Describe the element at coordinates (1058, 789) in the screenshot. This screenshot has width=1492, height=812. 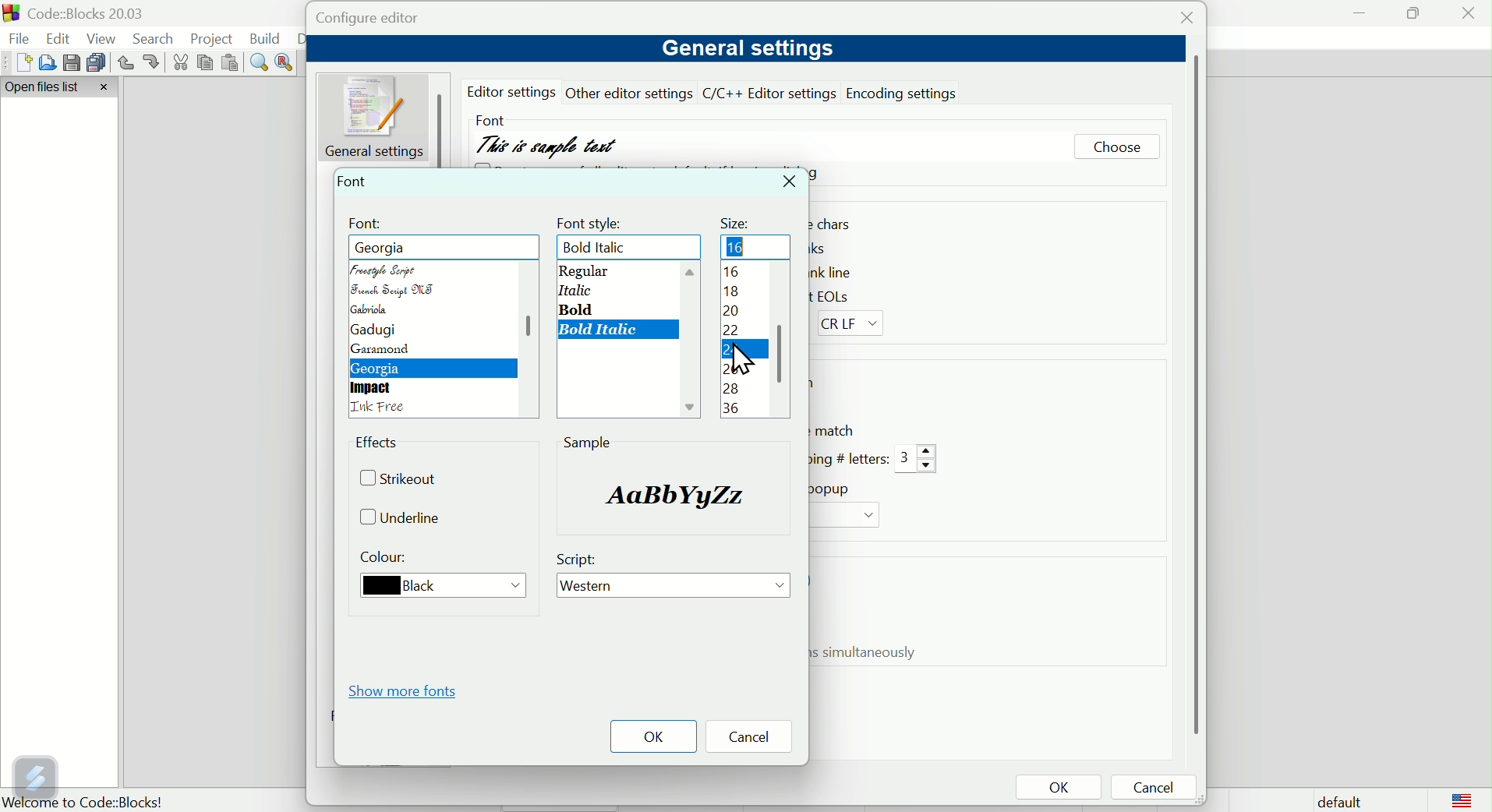
I see `OK` at that location.